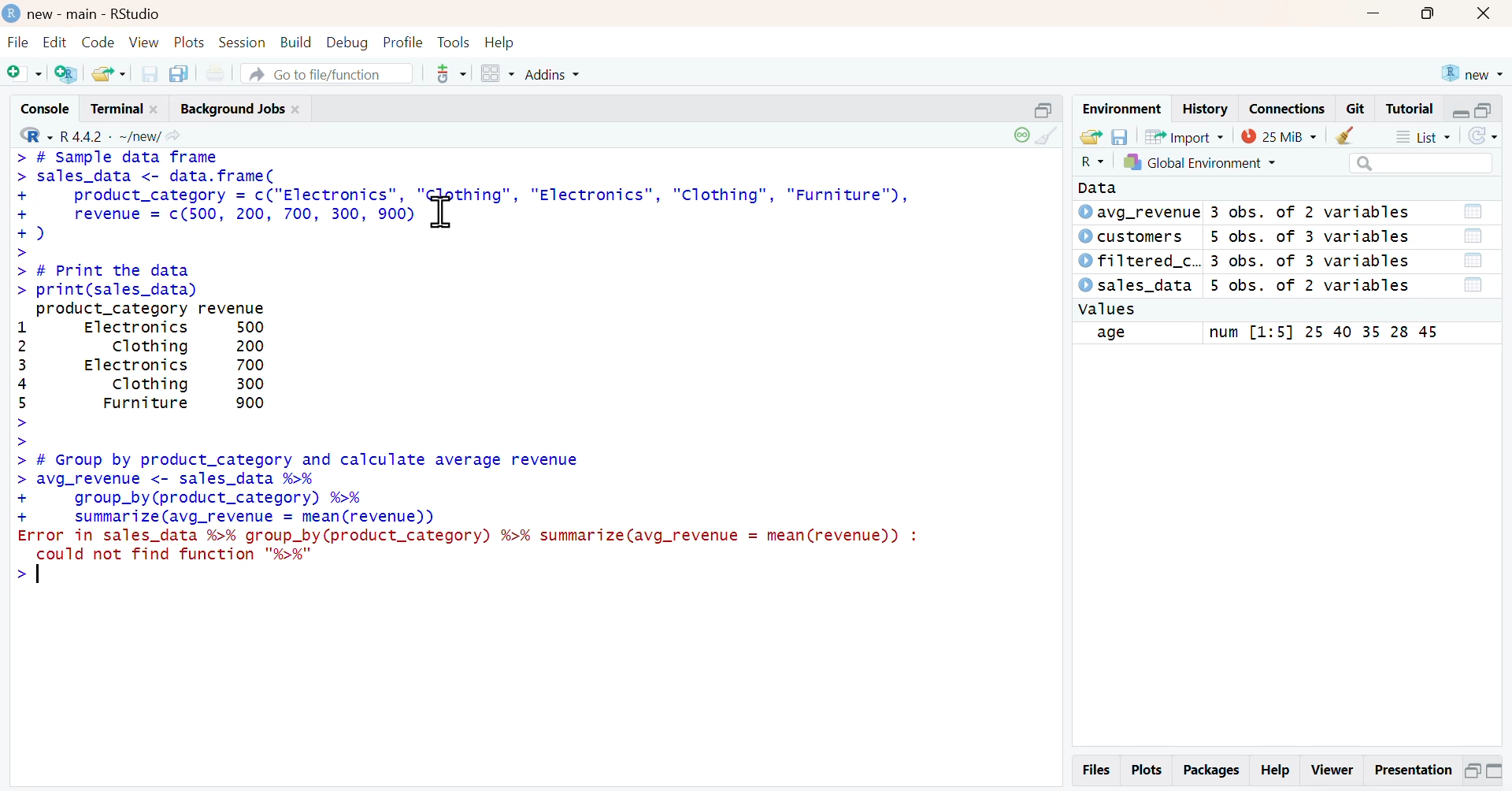 The height and width of the screenshot is (791, 1512). I want to click on Environment, so click(1122, 109).